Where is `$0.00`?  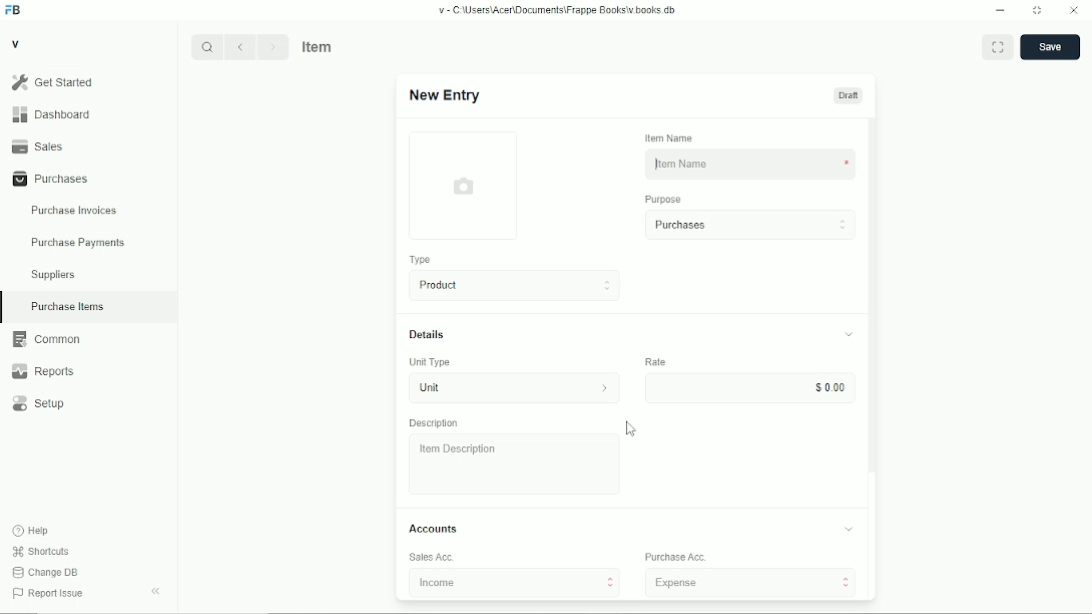
$0.00 is located at coordinates (750, 387).